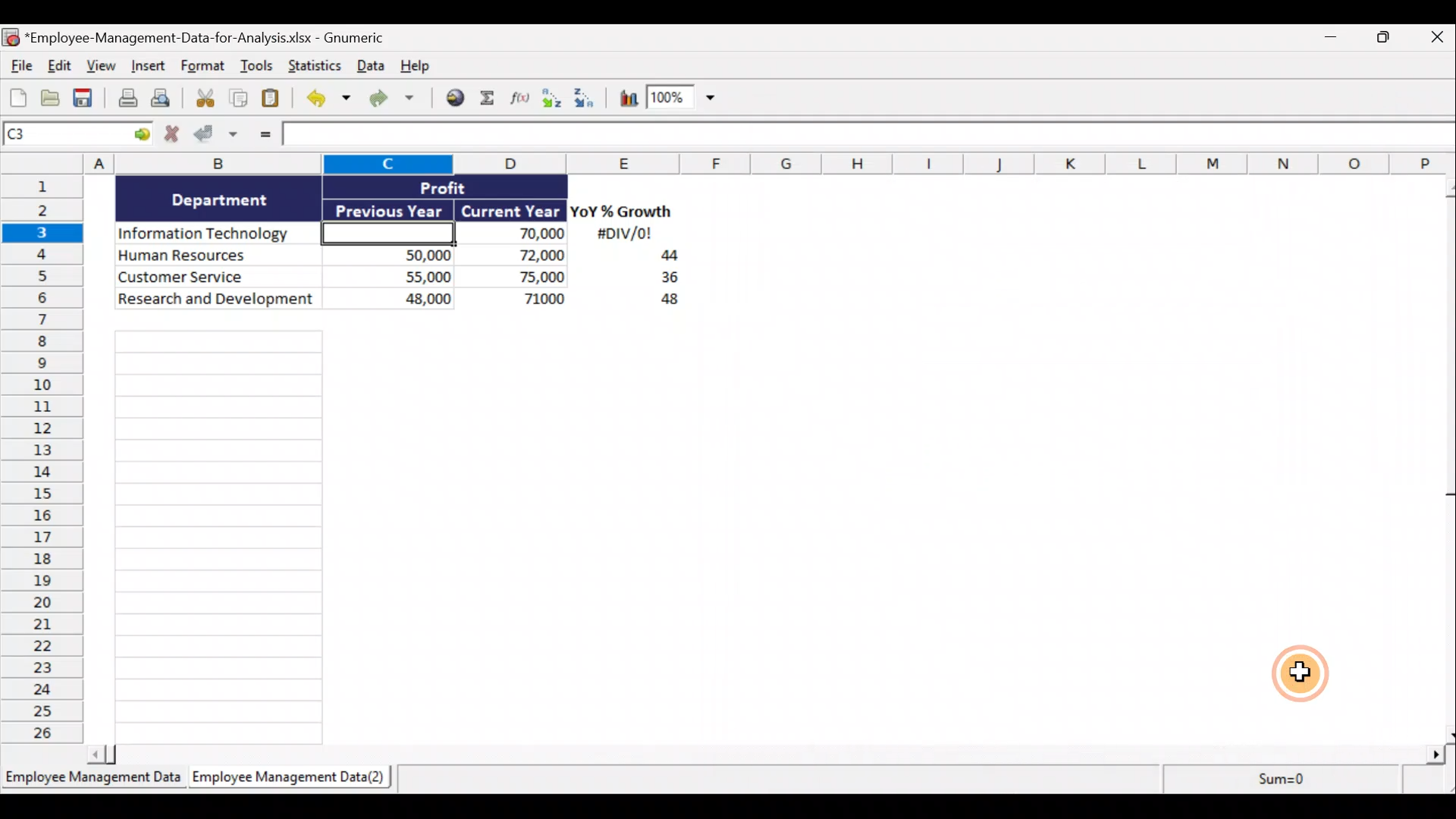  I want to click on *Employee-Management-Data-for-Analysis.xlsx - Gnumeric, so click(222, 36).